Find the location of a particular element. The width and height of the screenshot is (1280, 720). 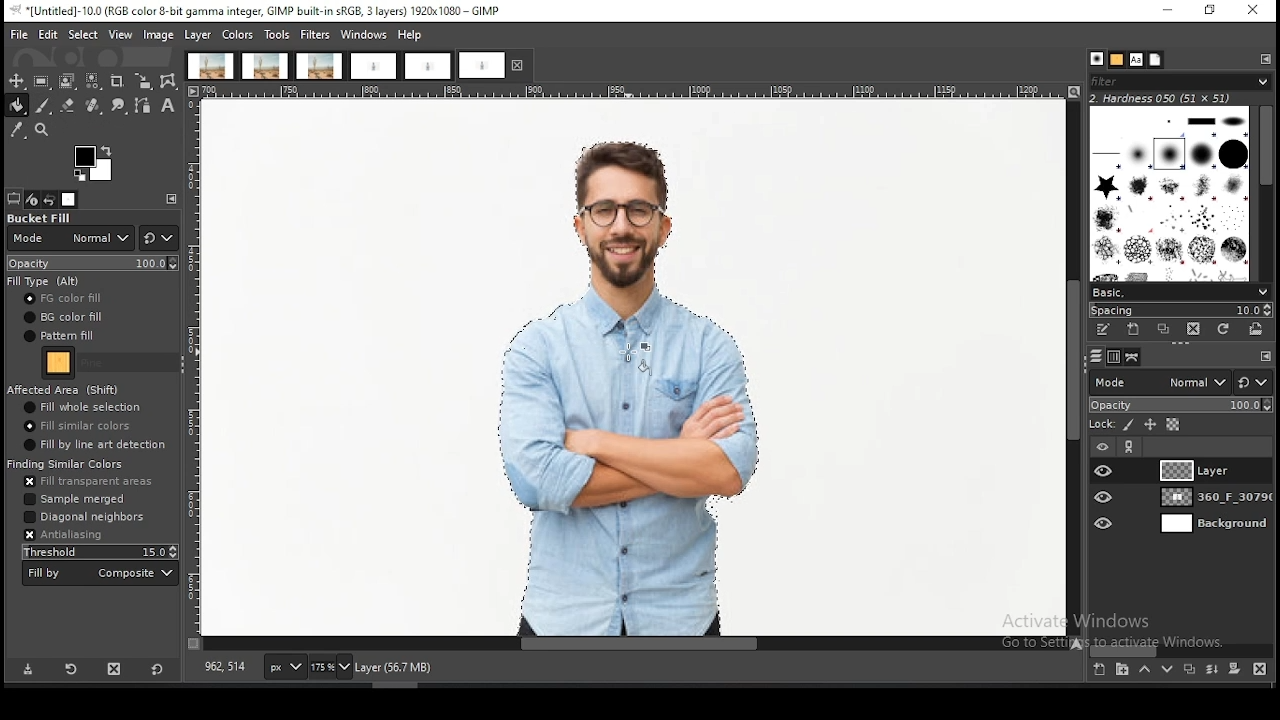

zoom tool is located at coordinates (40, 128).